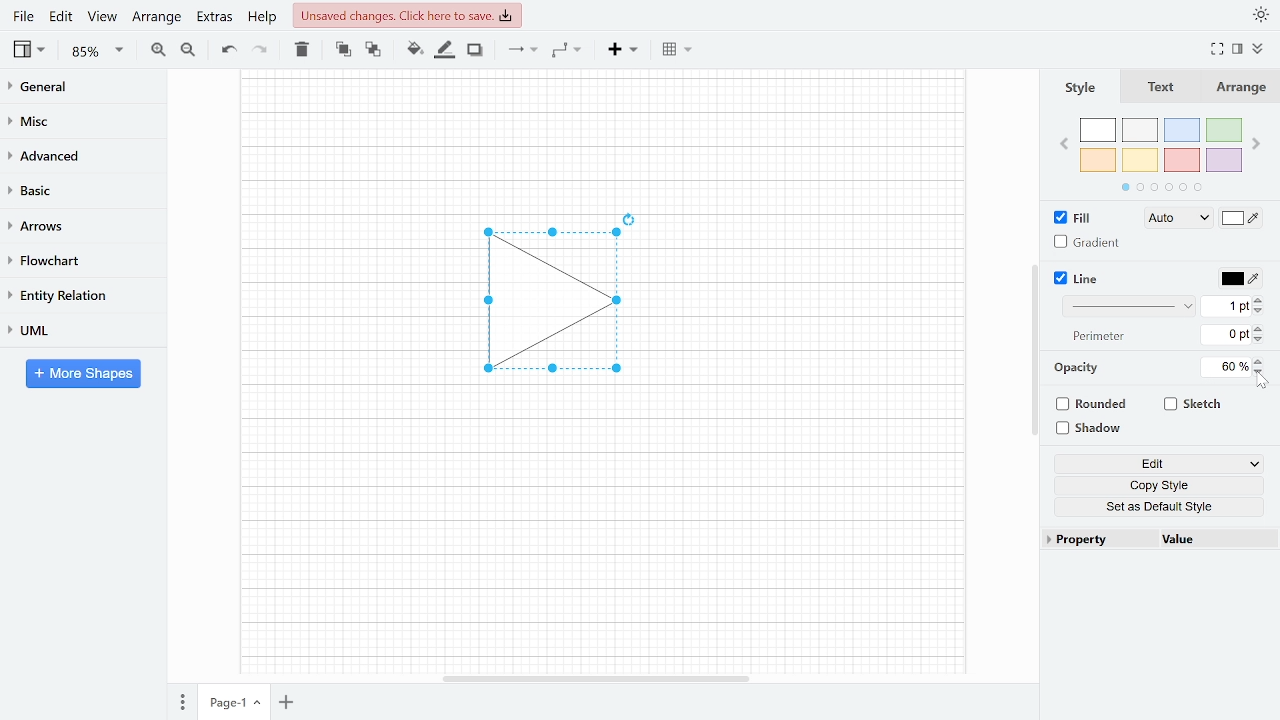 This screenshot has height=720, width=1280. Describe the element at coordinates (414, 49) in the screenshot. I see `Fill color` at that location.